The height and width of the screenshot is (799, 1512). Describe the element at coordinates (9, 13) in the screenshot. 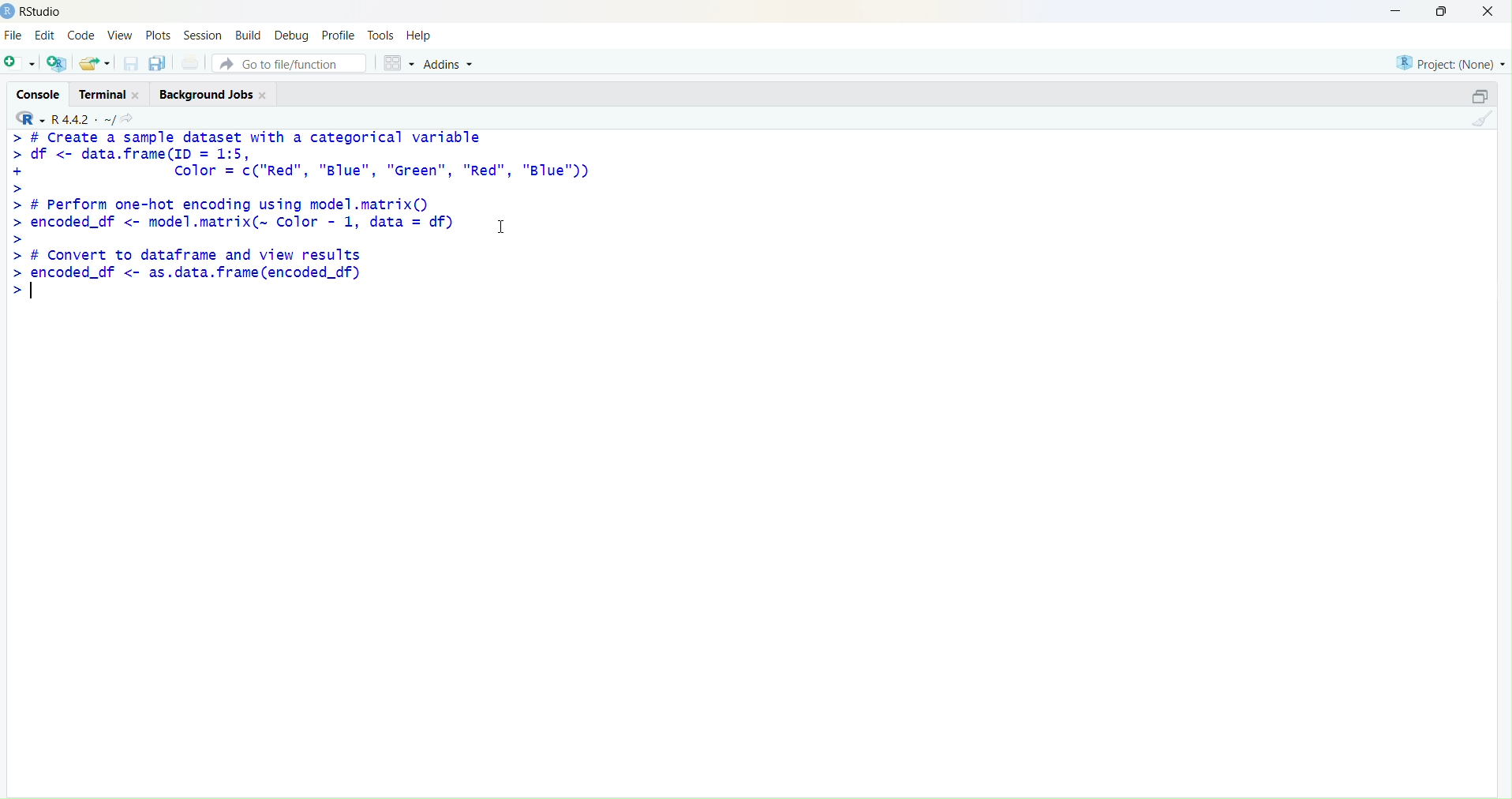

I see `logo` at that location.